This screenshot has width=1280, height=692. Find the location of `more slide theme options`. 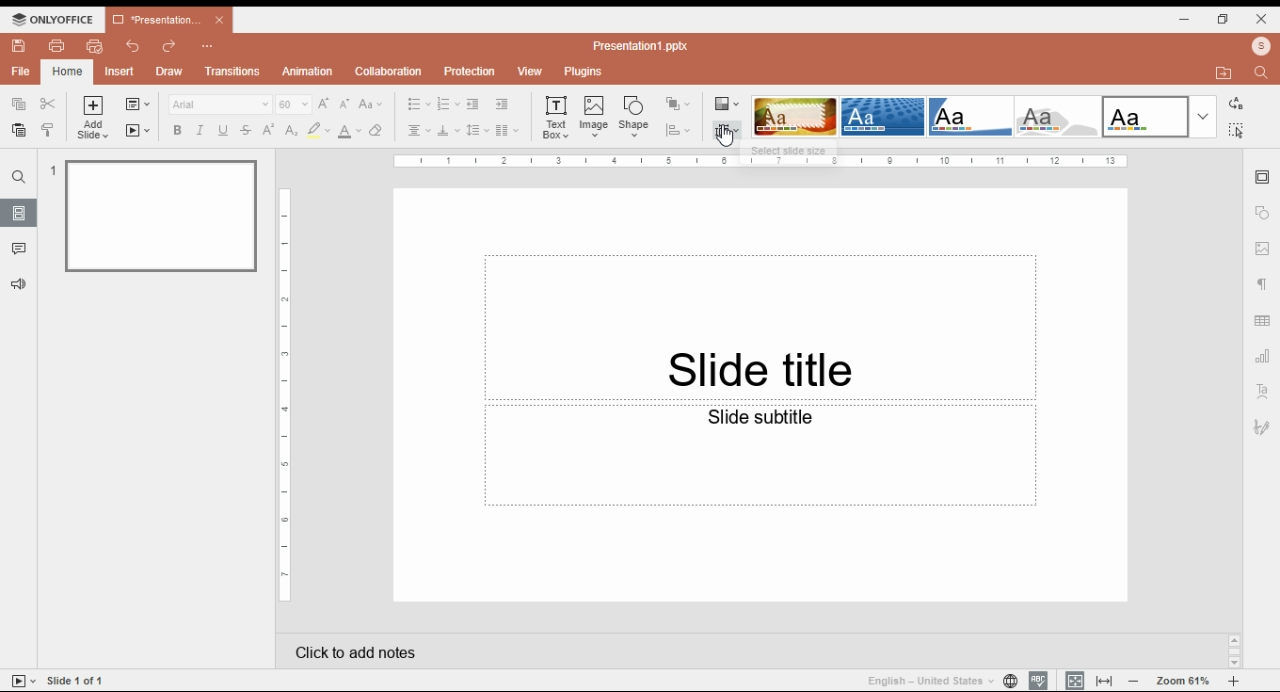

more slide theme options is located at coordinates (1203, 117).